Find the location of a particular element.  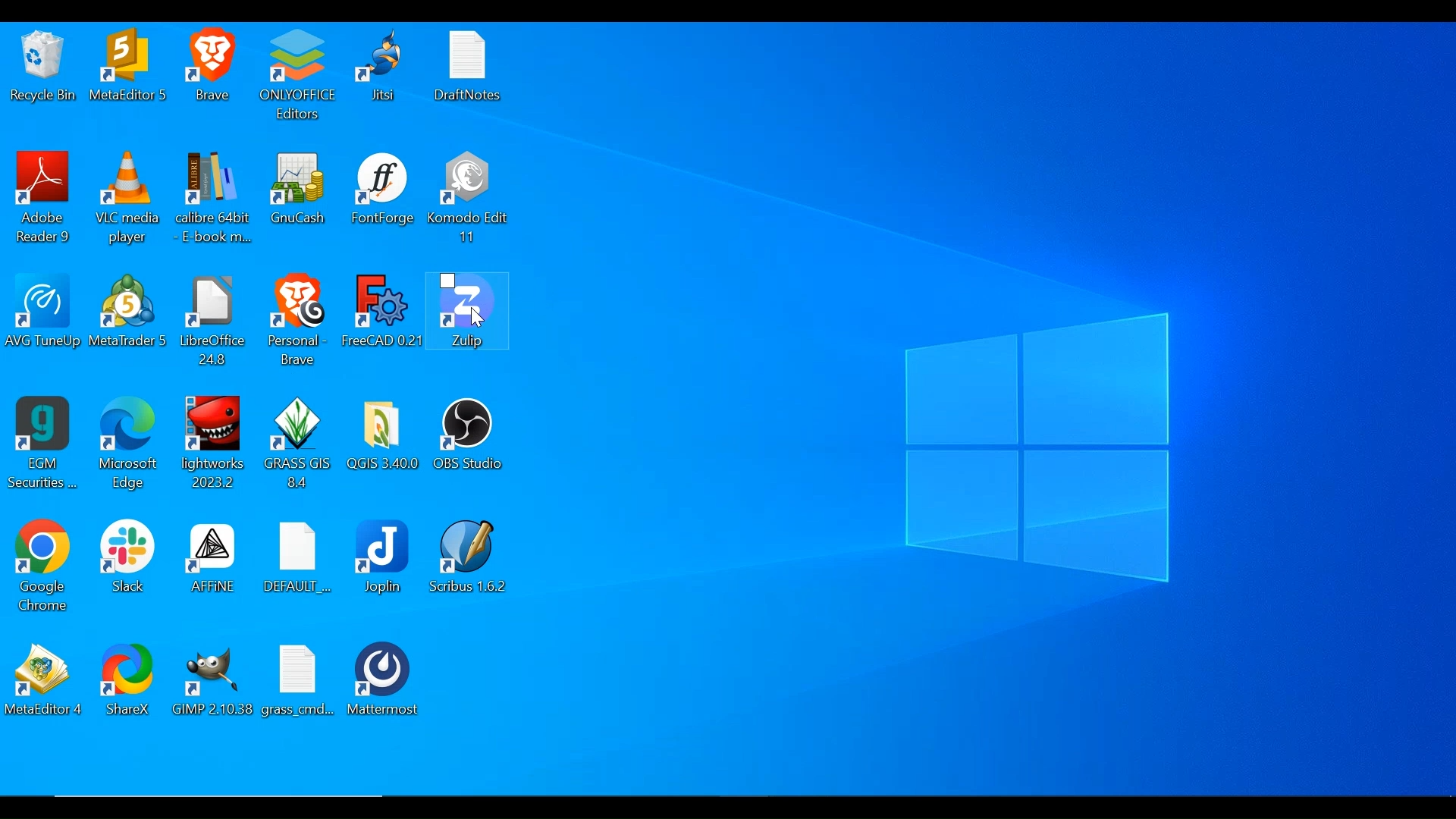

Gimp Desktop icon is located at coordinates (215, 681).